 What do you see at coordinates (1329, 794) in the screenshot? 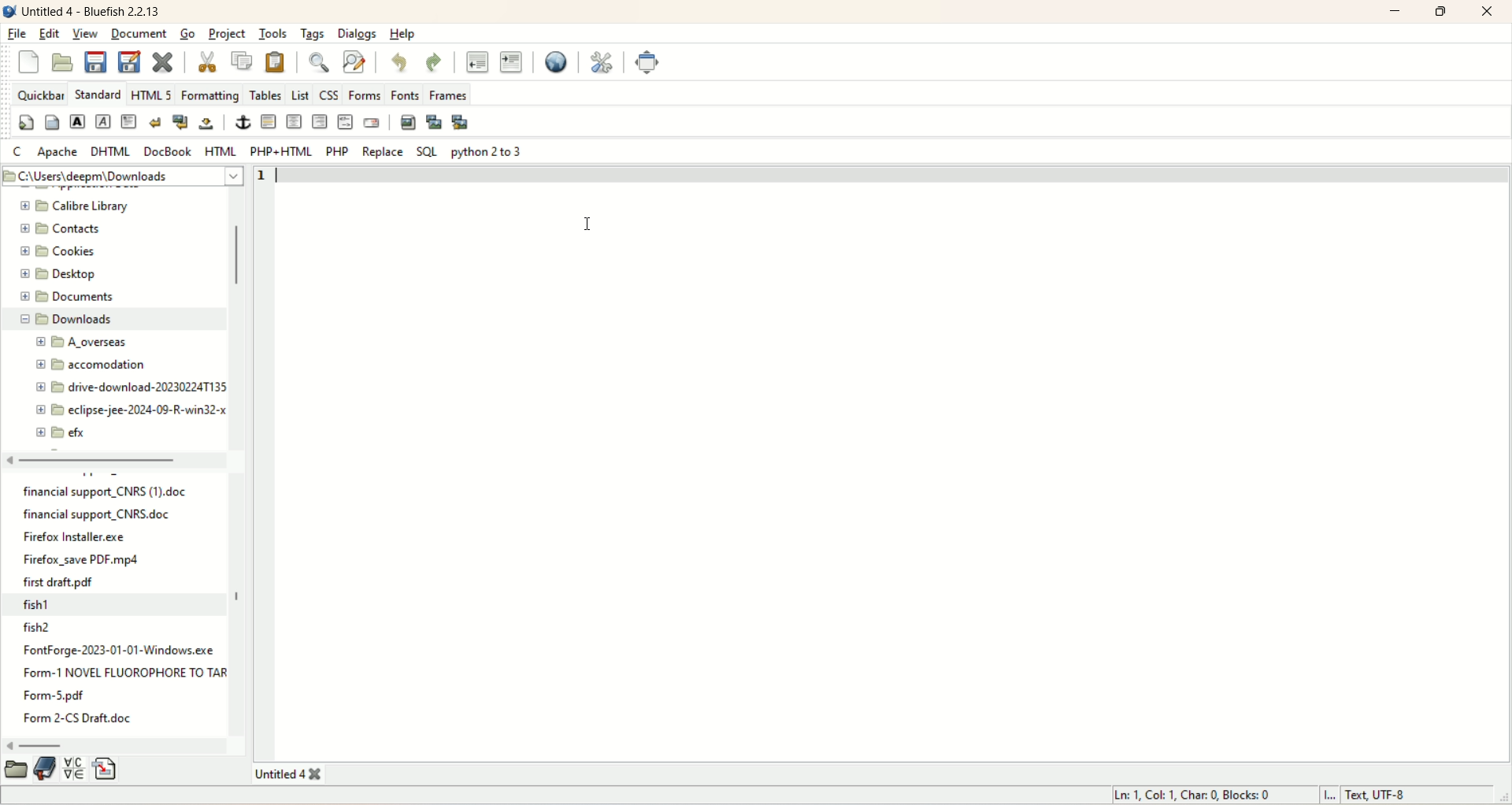
I see `I` at bounding box center [1329, 794].